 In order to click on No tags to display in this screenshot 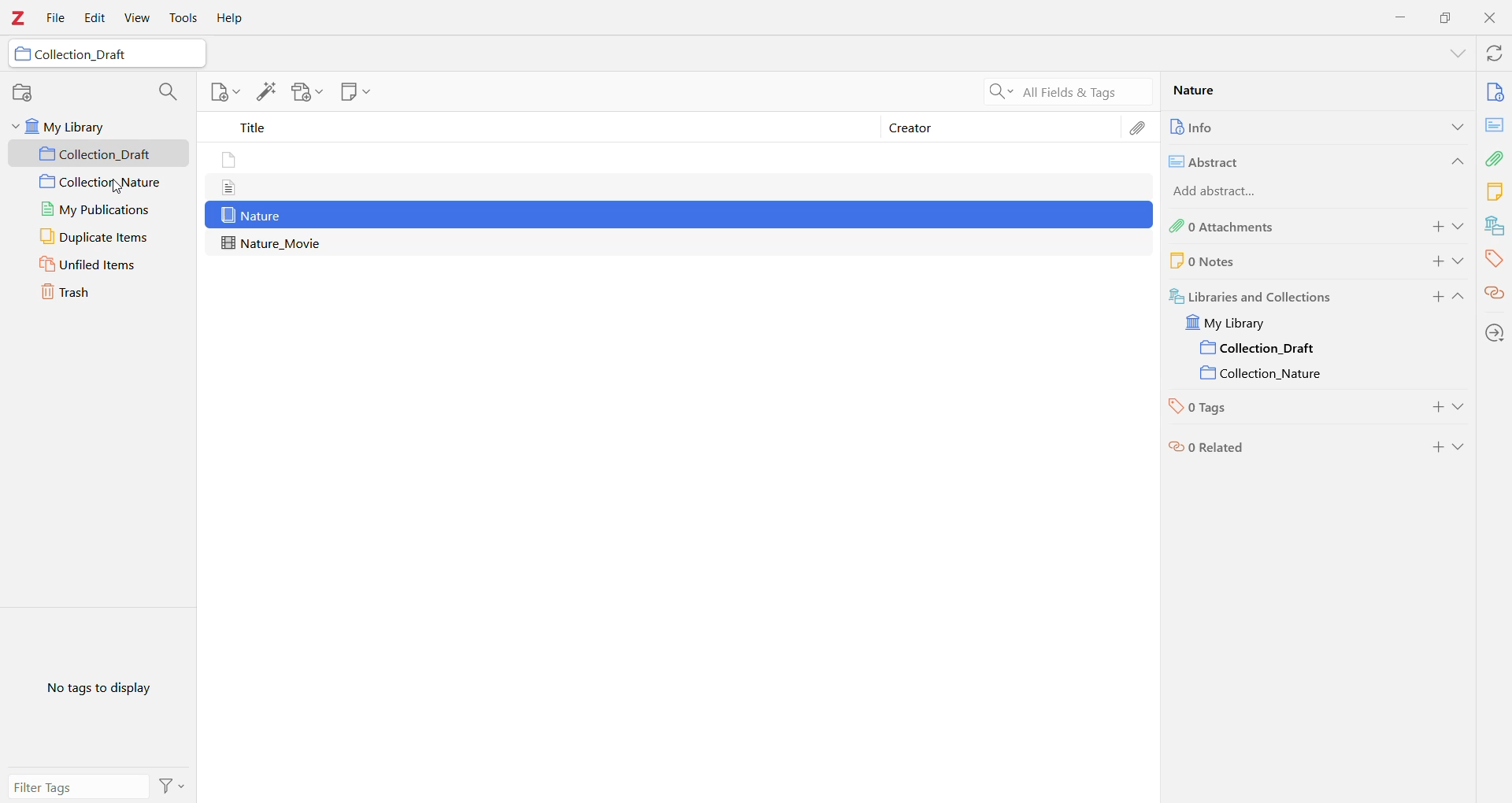, I will do `click(97, 687)`.